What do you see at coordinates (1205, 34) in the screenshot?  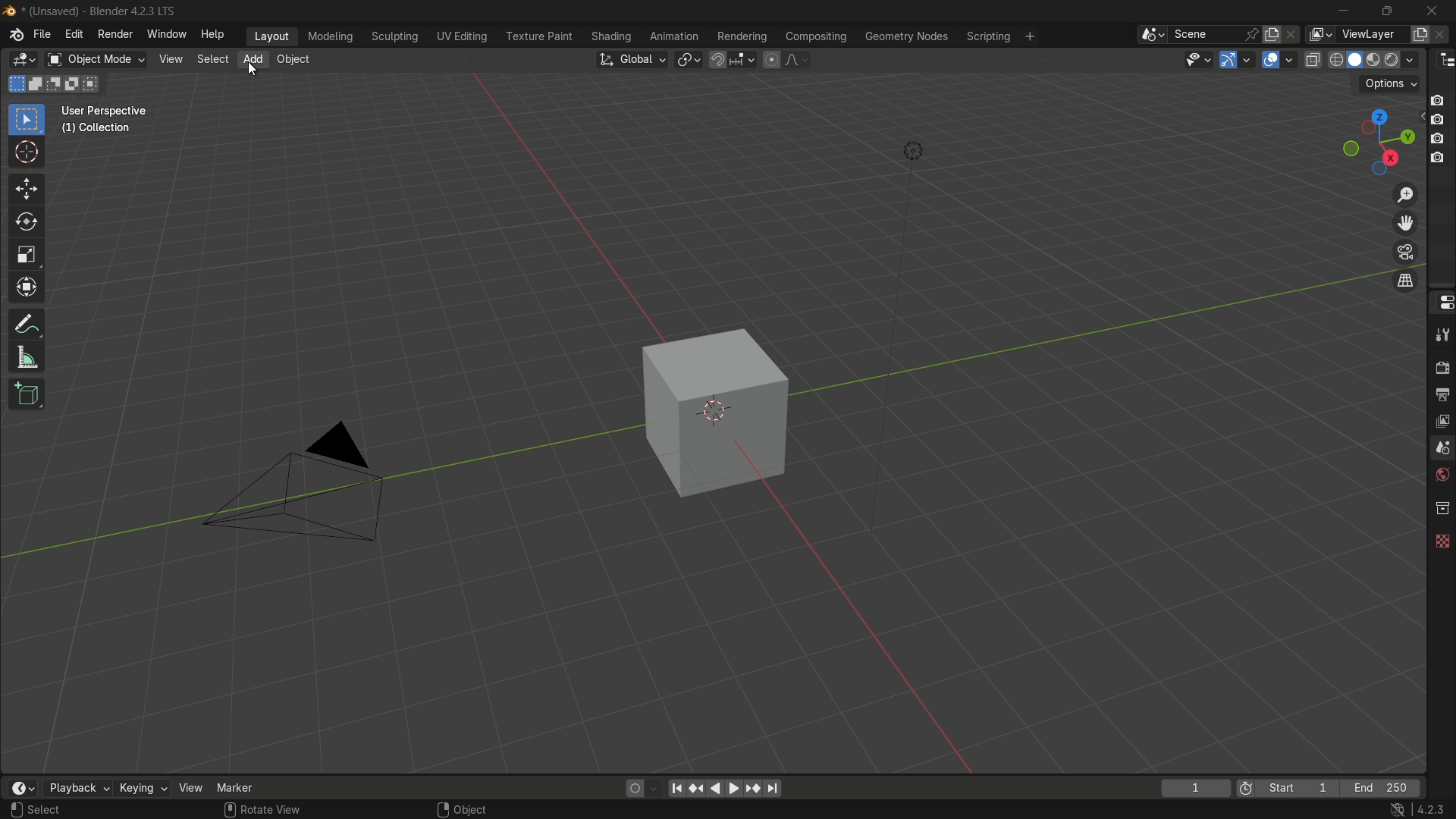 I see `scene name` at bounding box center [1205, 34].